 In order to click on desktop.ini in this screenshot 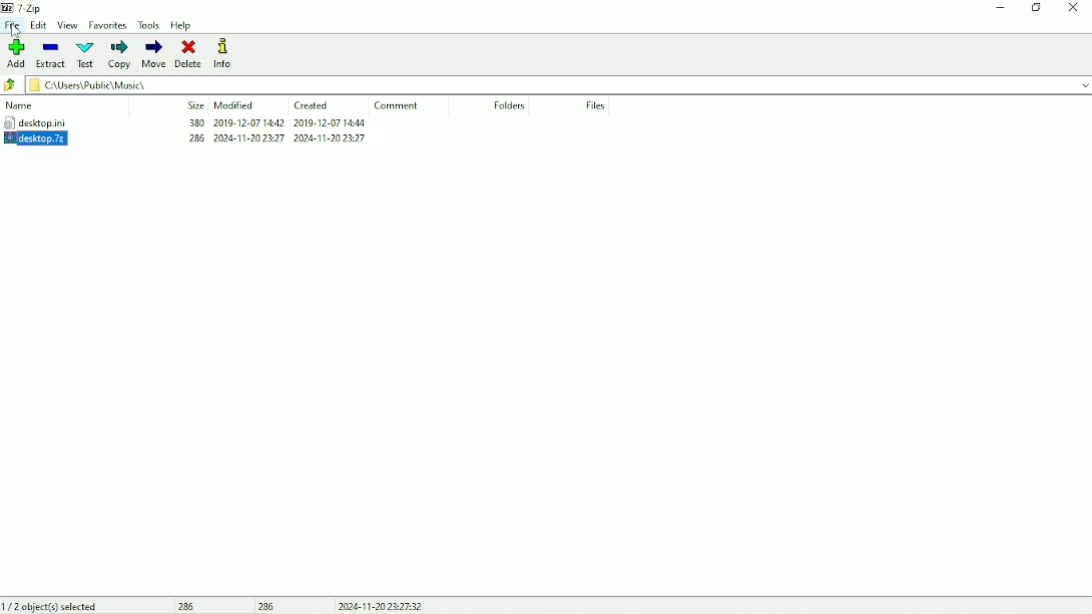, I will do `click(54, 122)`.